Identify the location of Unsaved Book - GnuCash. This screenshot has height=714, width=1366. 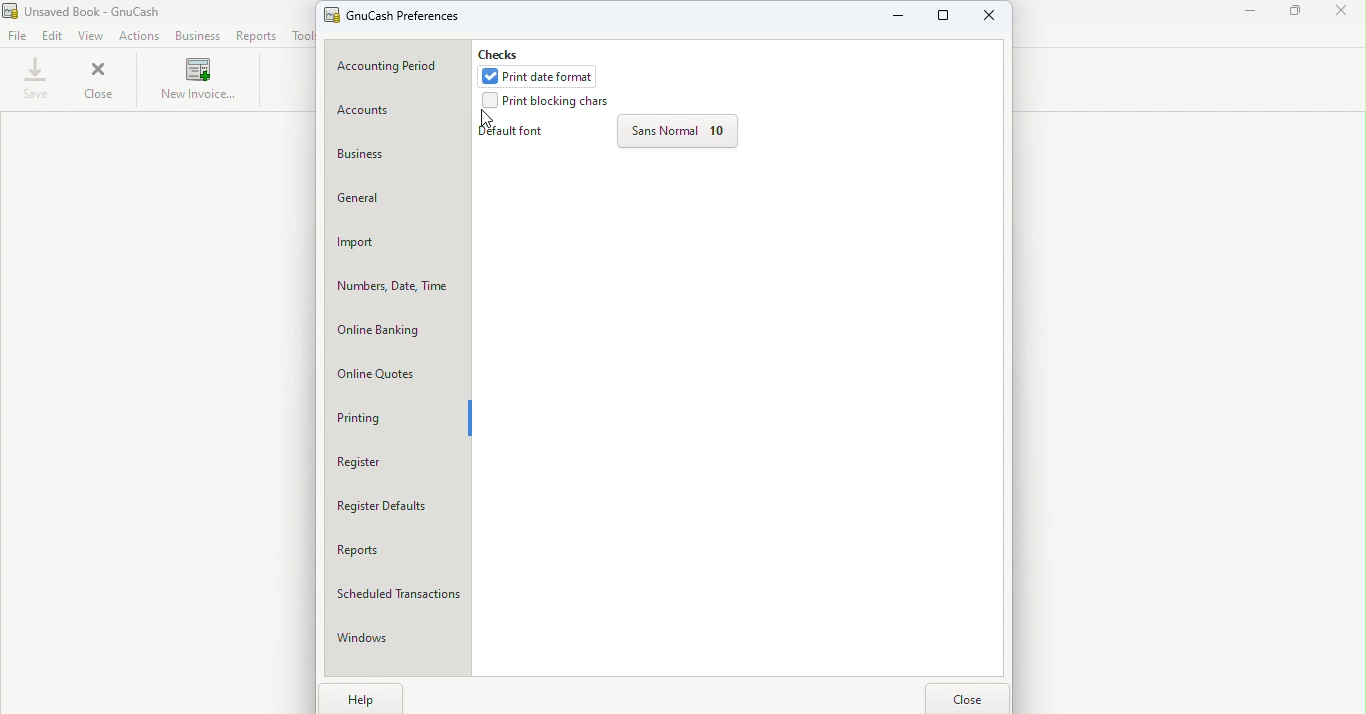
(106, 11).